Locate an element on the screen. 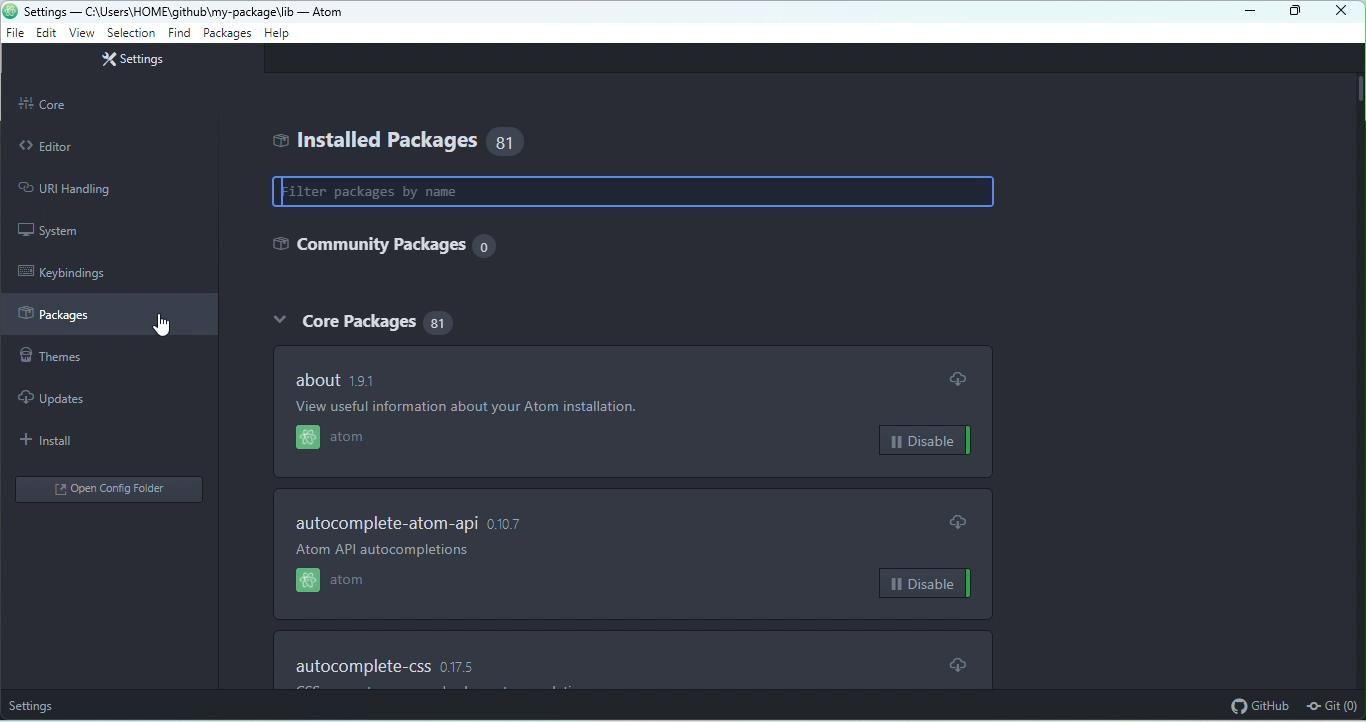  atom is located at coordinates (364, 439).